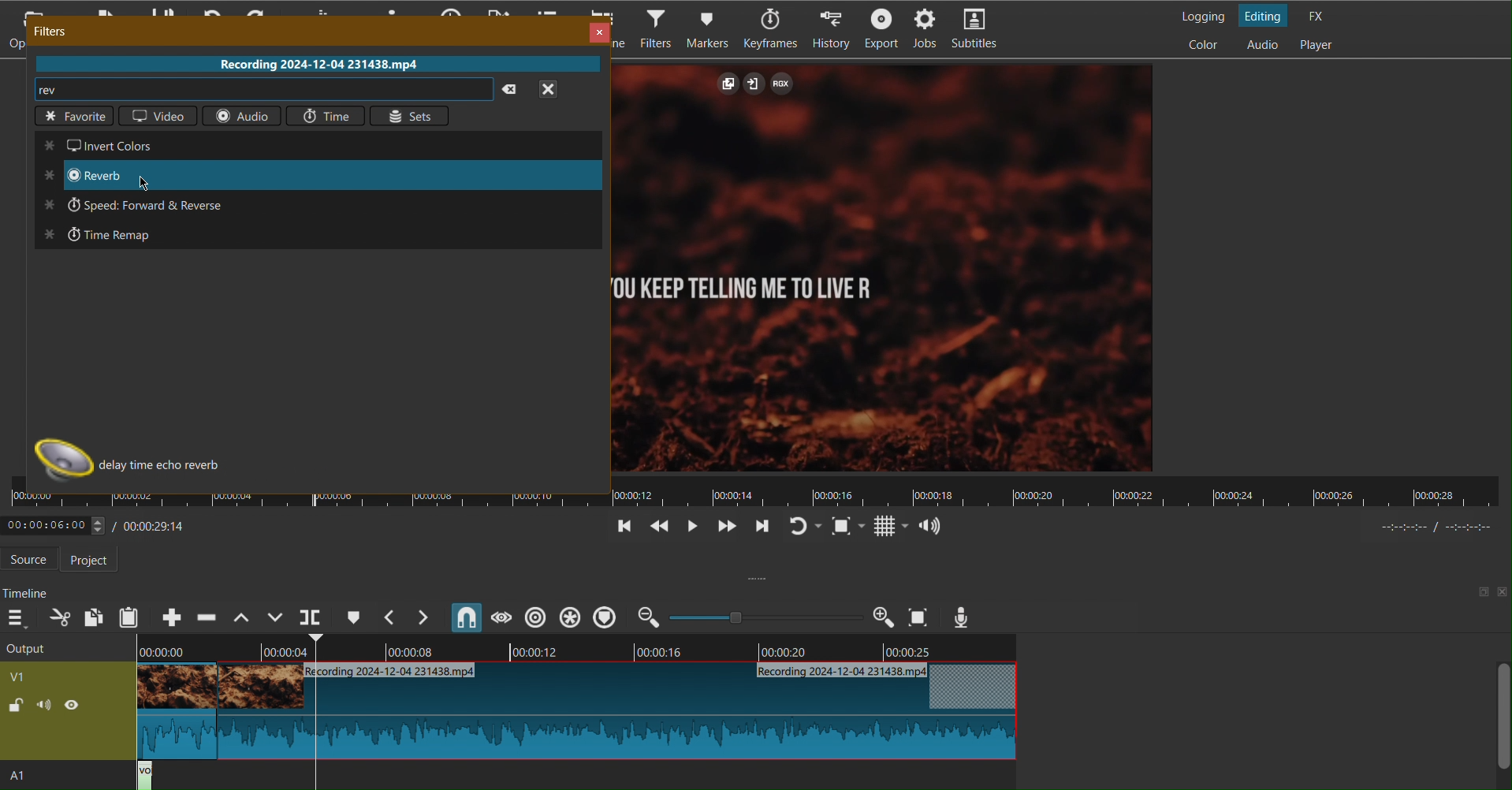 This screenshot has height=790, width=1512. Describe the element at coordinates (773, 29) in the screenshot. I see `Keyframes` at that location.